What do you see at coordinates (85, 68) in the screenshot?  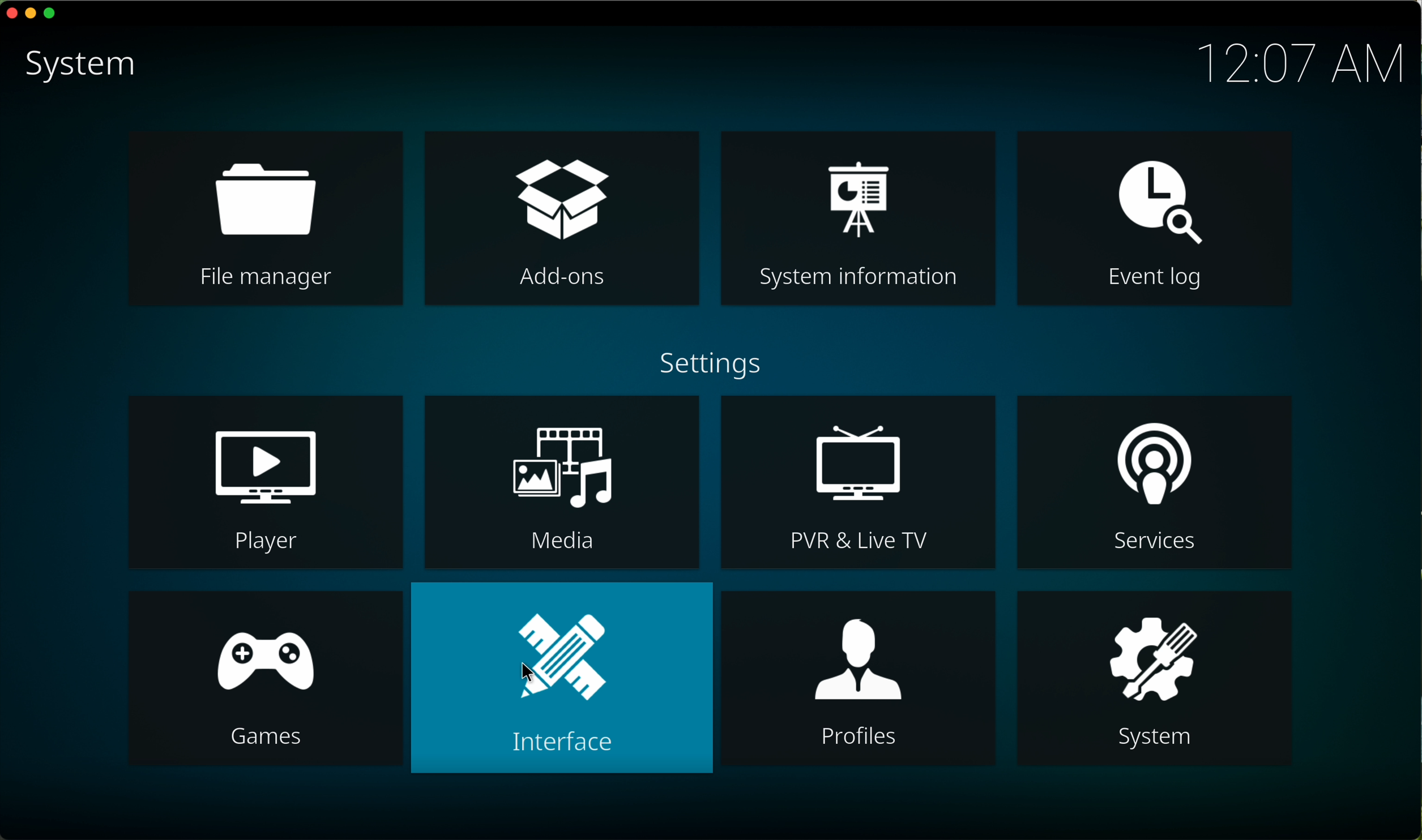 I see `system` at bounding box center [85, 68].